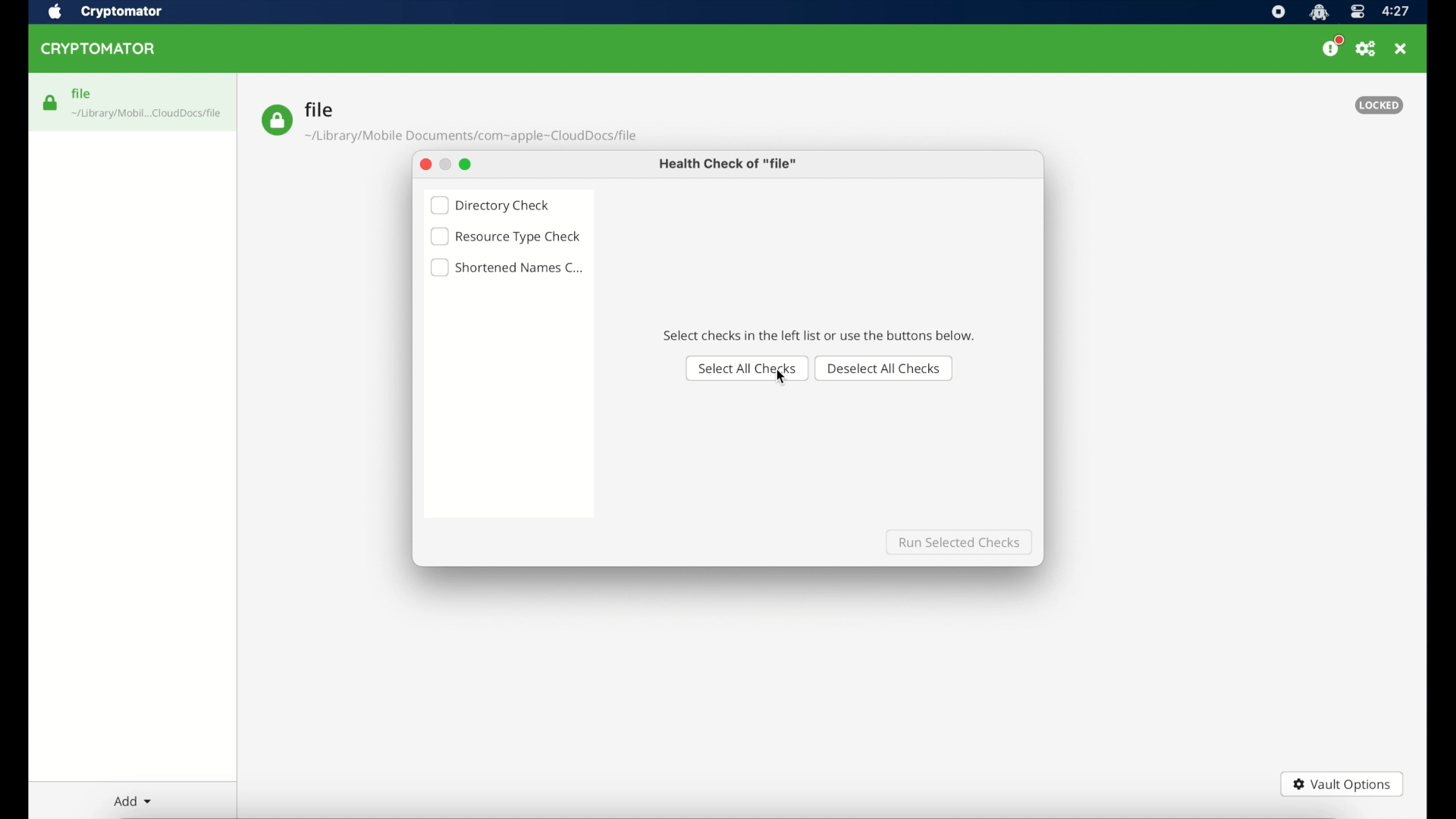 The image size is (1456, 819). I want to click on cryptomator icon, so click(1319, 12).